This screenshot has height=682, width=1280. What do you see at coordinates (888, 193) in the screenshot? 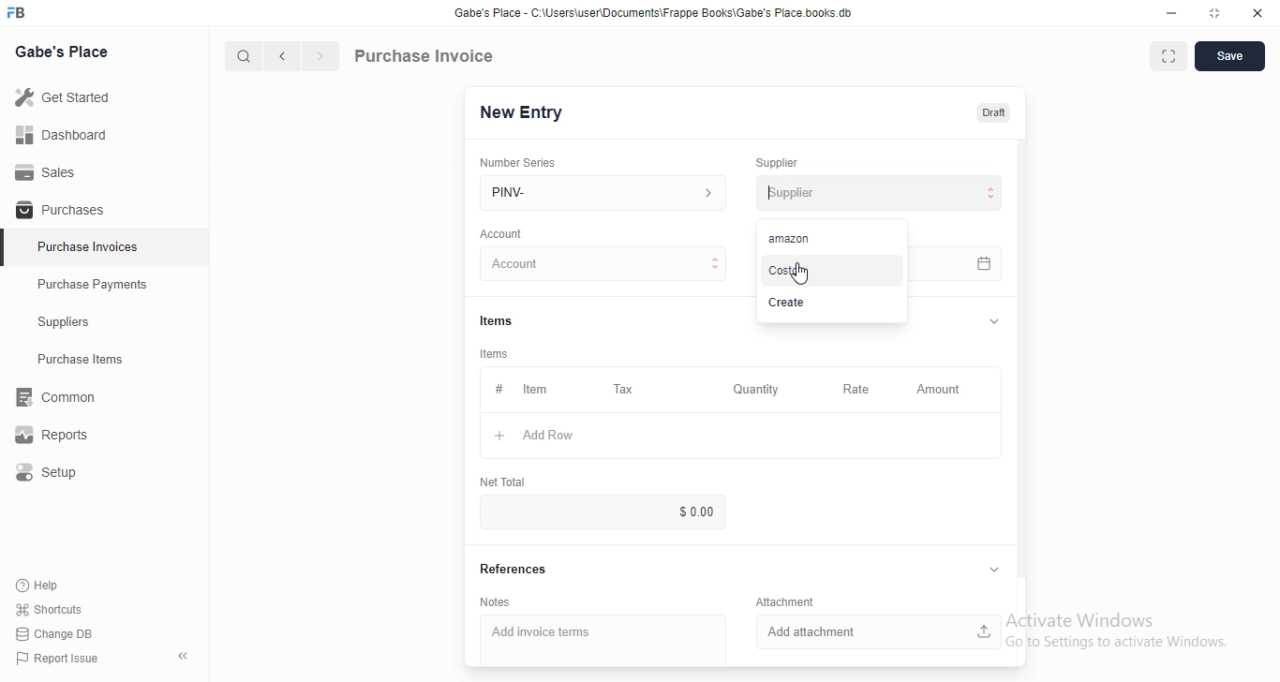
I see `Supplier` at bounding box center [888, 193].